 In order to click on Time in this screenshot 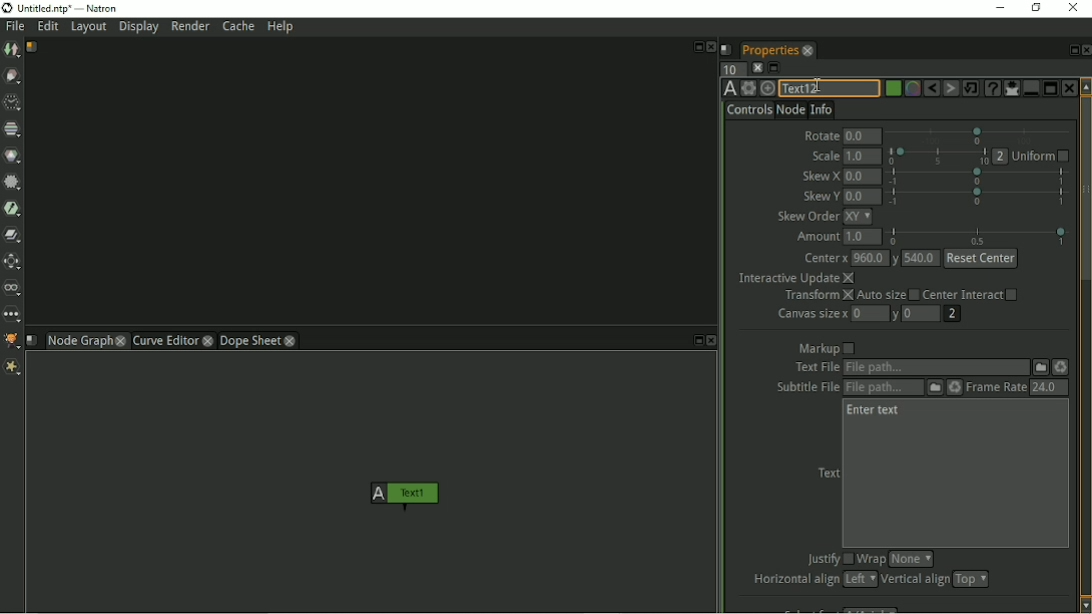, I will do `click(12, 103)`.